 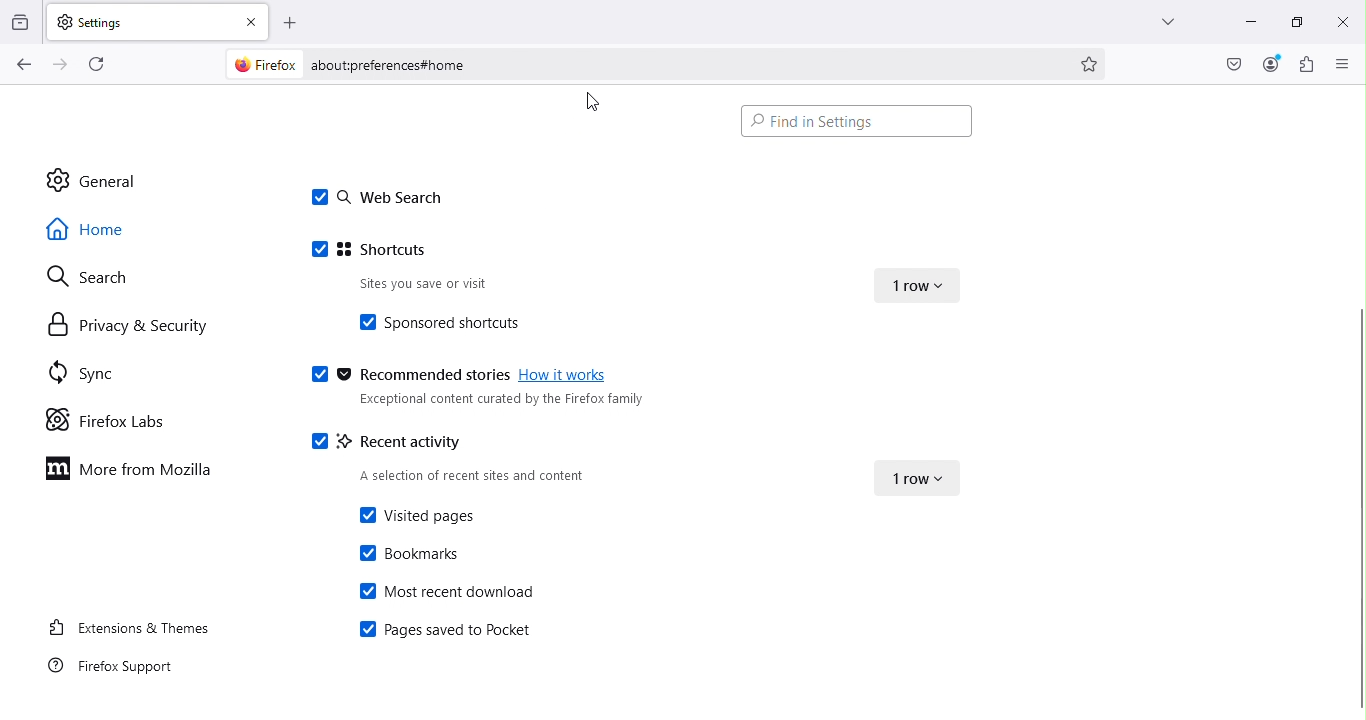 What do you see at coordinates (477, 473) in the screenshot?
I see `A selection of recent sites and content` at bounding box center [477, 473].